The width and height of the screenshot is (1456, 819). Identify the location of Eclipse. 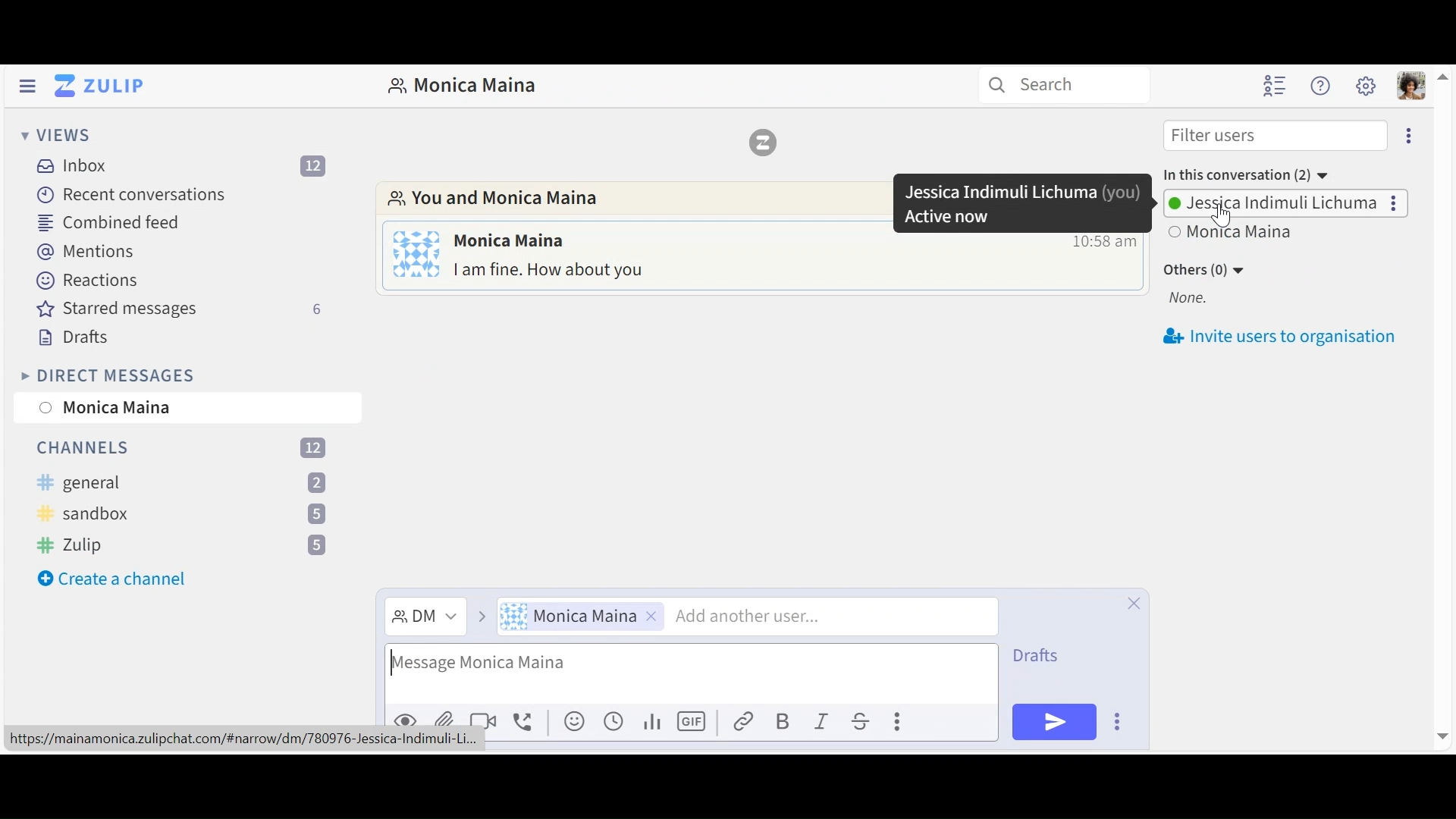
(1407, 136).